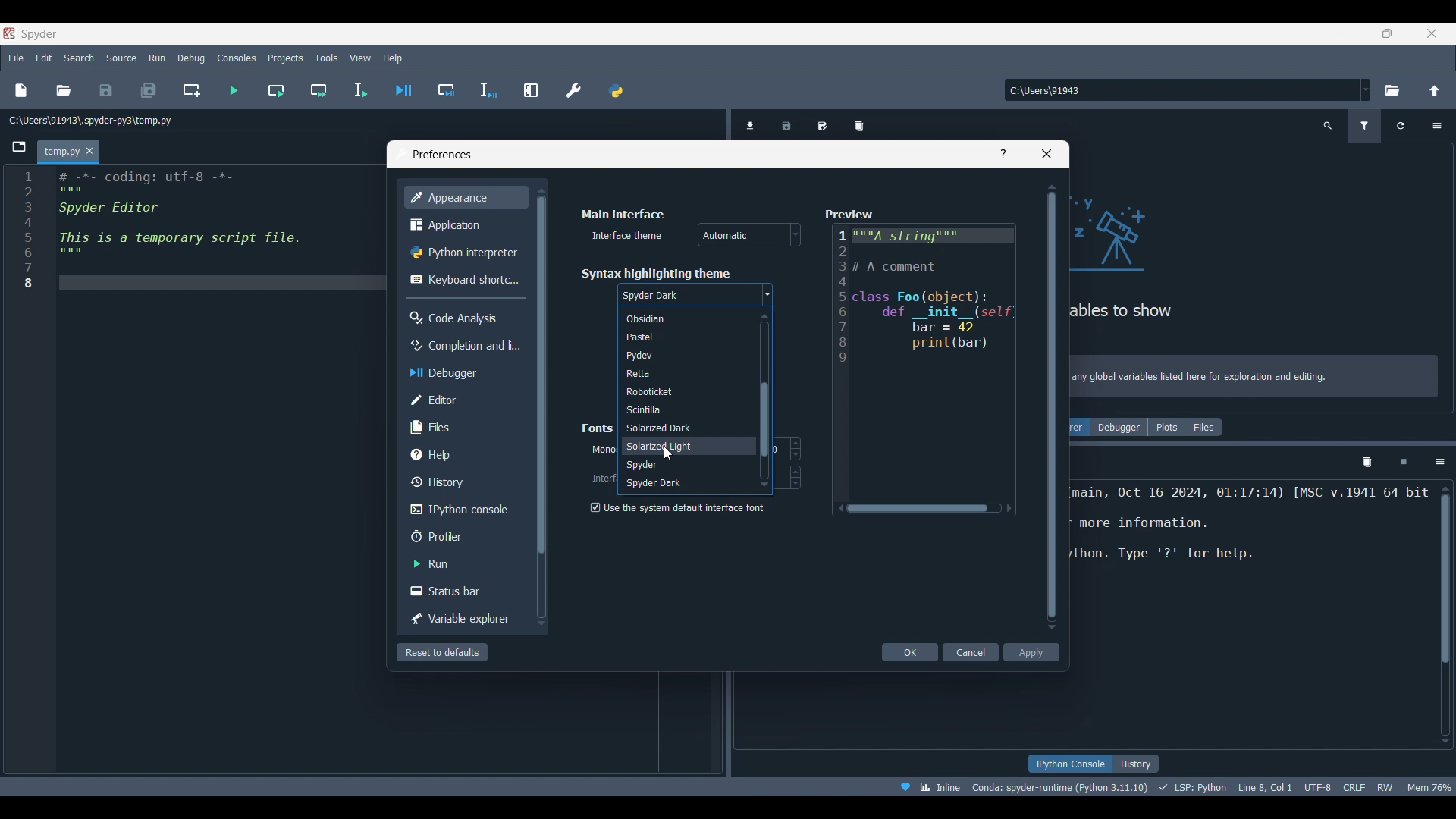 This screenshot has width=1456, height=819. What do you see at coordinates (463, 428) in the screenshot?
I see `Files` at bounding box center [463, 428].